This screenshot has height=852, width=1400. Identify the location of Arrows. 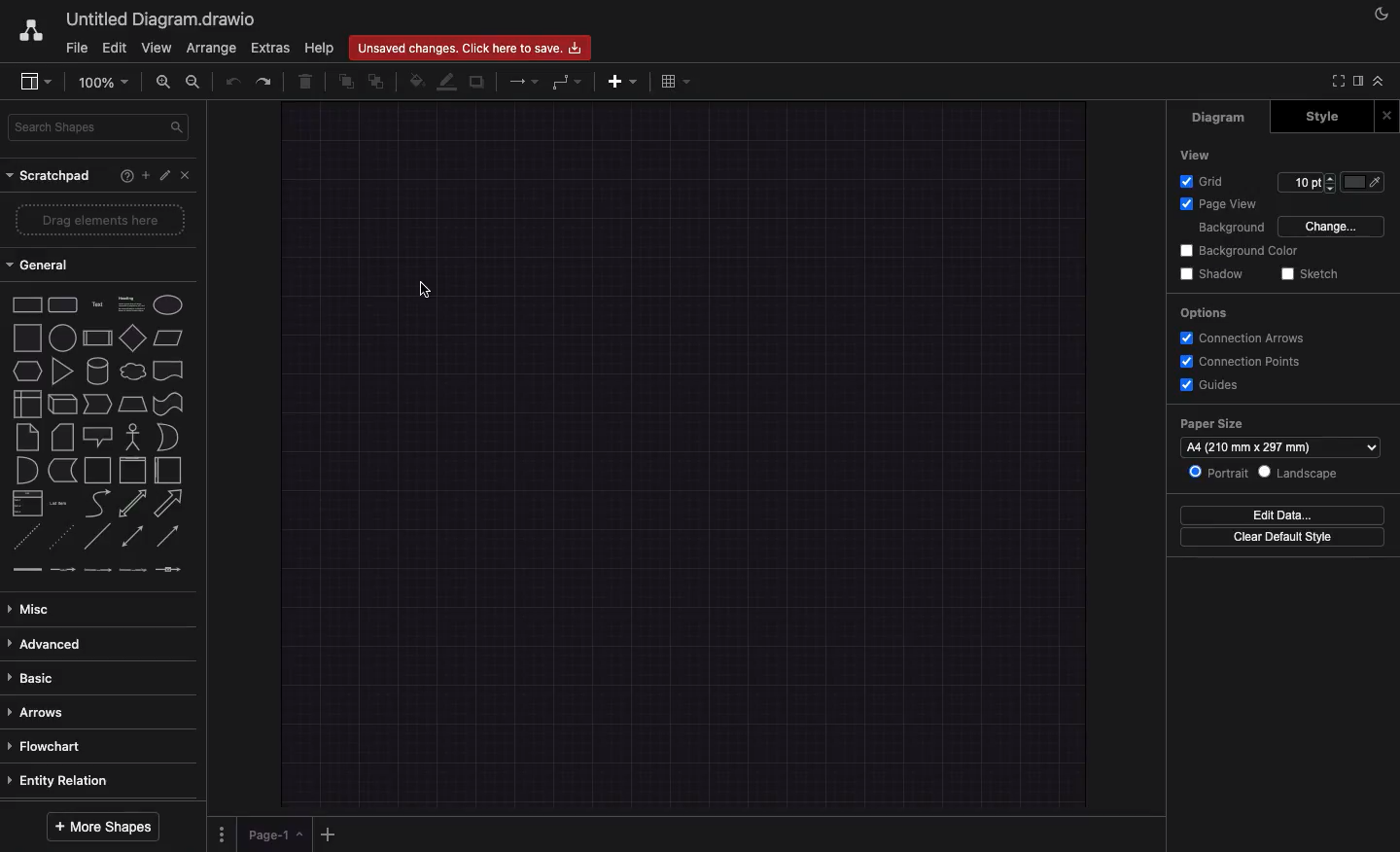
(39, 710).